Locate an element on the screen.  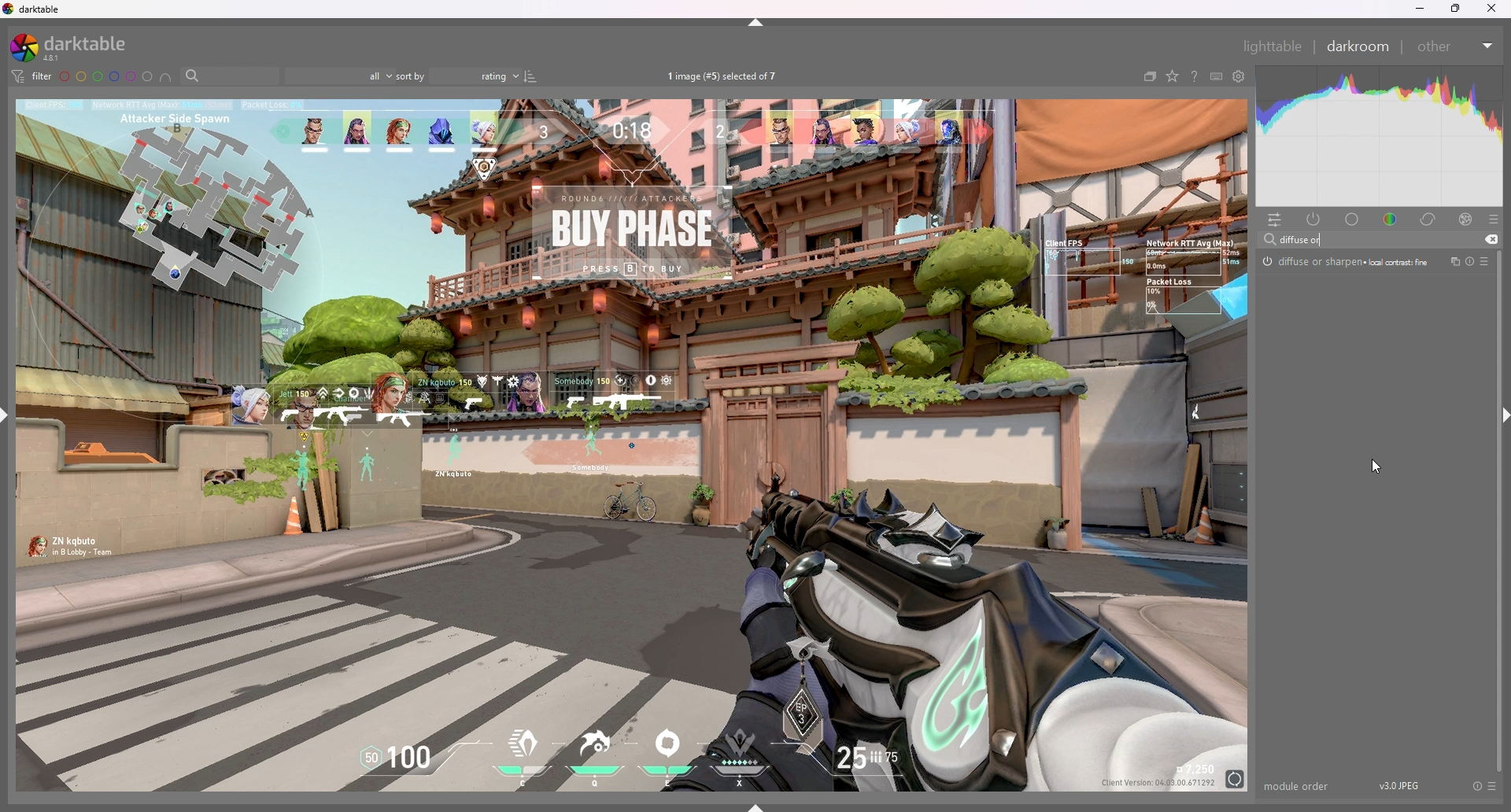
lighttable is located at coordinates (1274, 46).